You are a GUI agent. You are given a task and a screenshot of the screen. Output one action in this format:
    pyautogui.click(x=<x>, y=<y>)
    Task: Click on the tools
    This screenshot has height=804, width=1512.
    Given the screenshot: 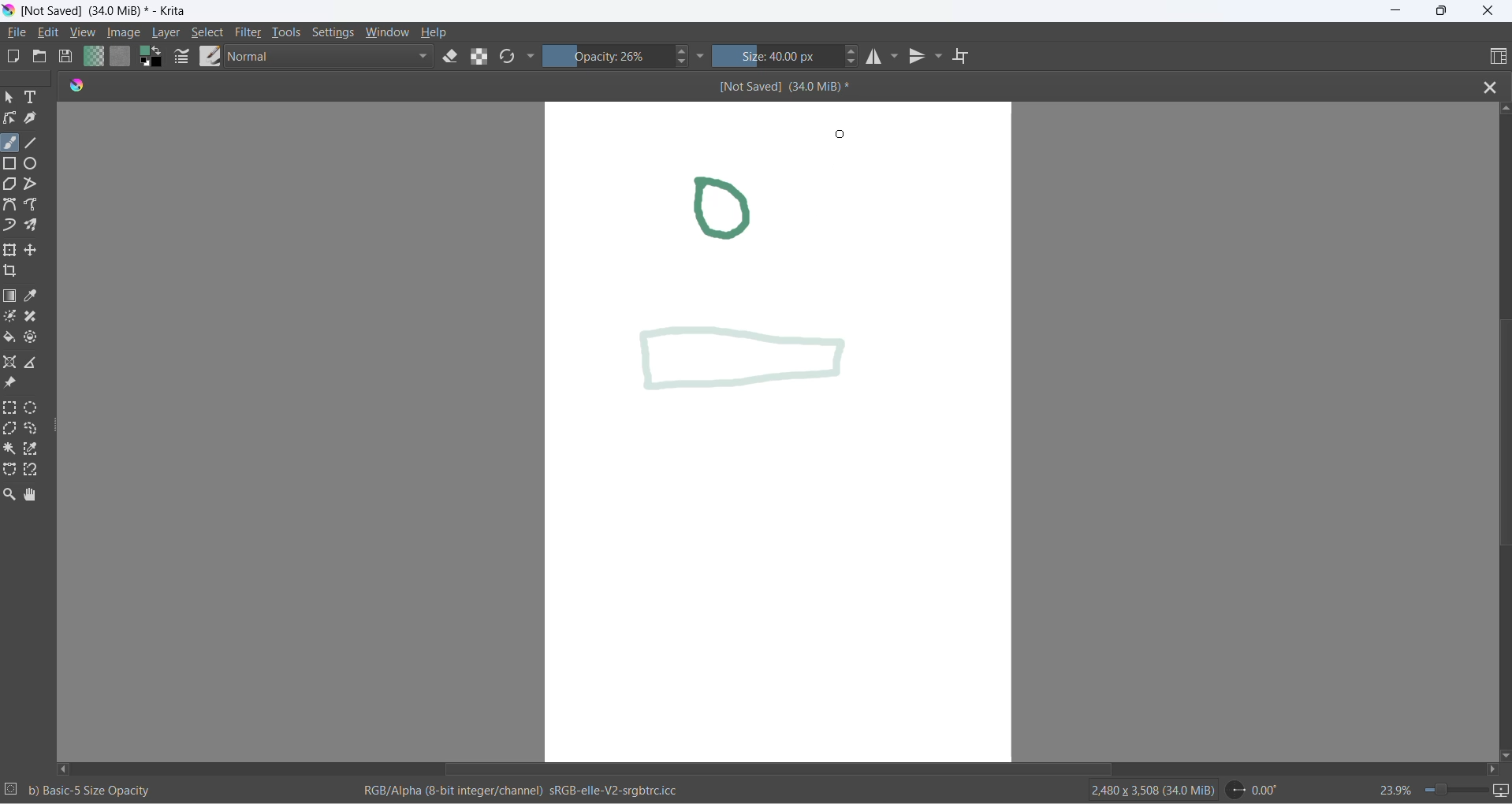 What is the action you would take?
    pyautogui.click(x=288, y=32)
    